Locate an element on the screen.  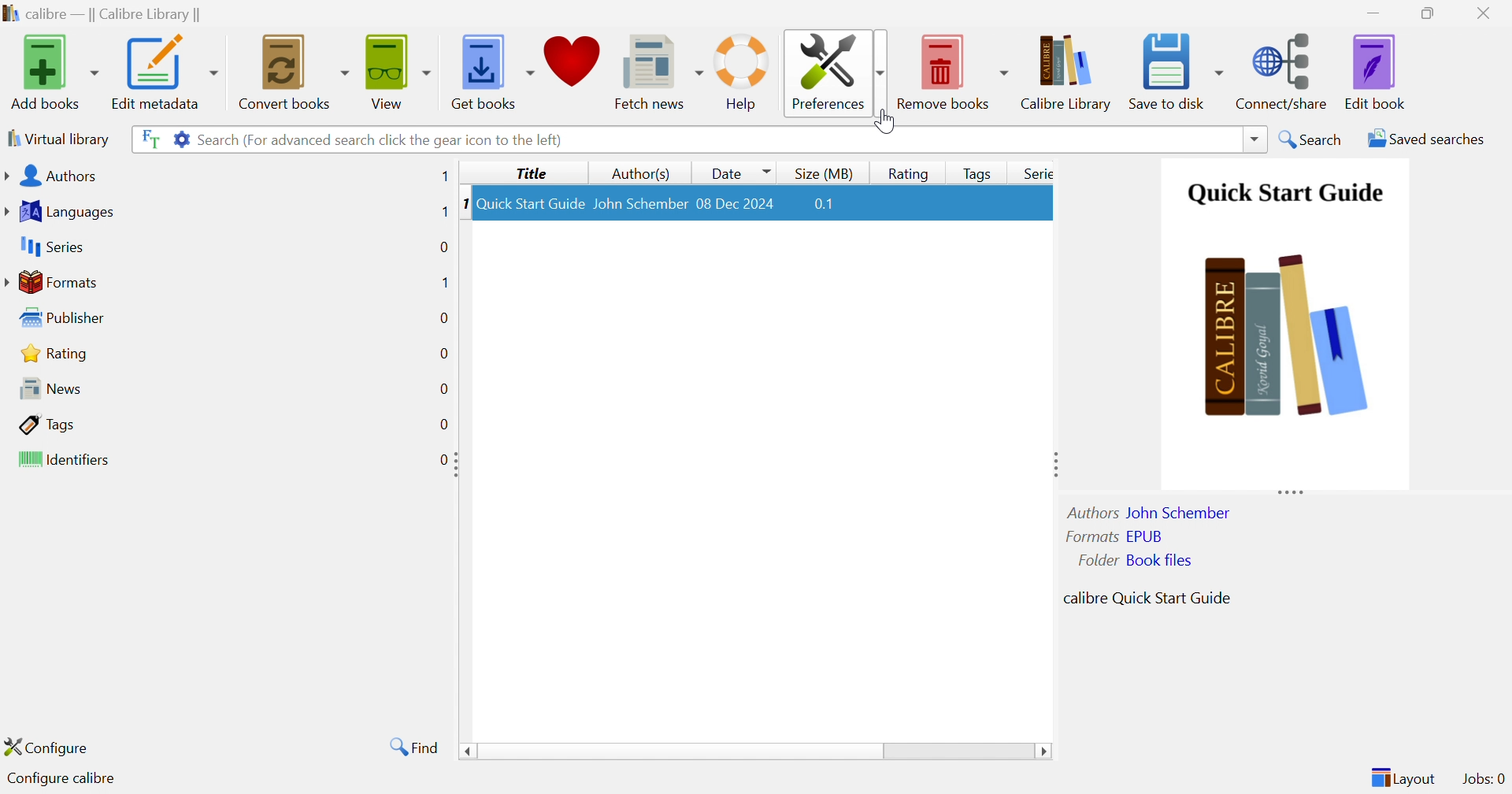
Configure is located at coordinates (53, 747).